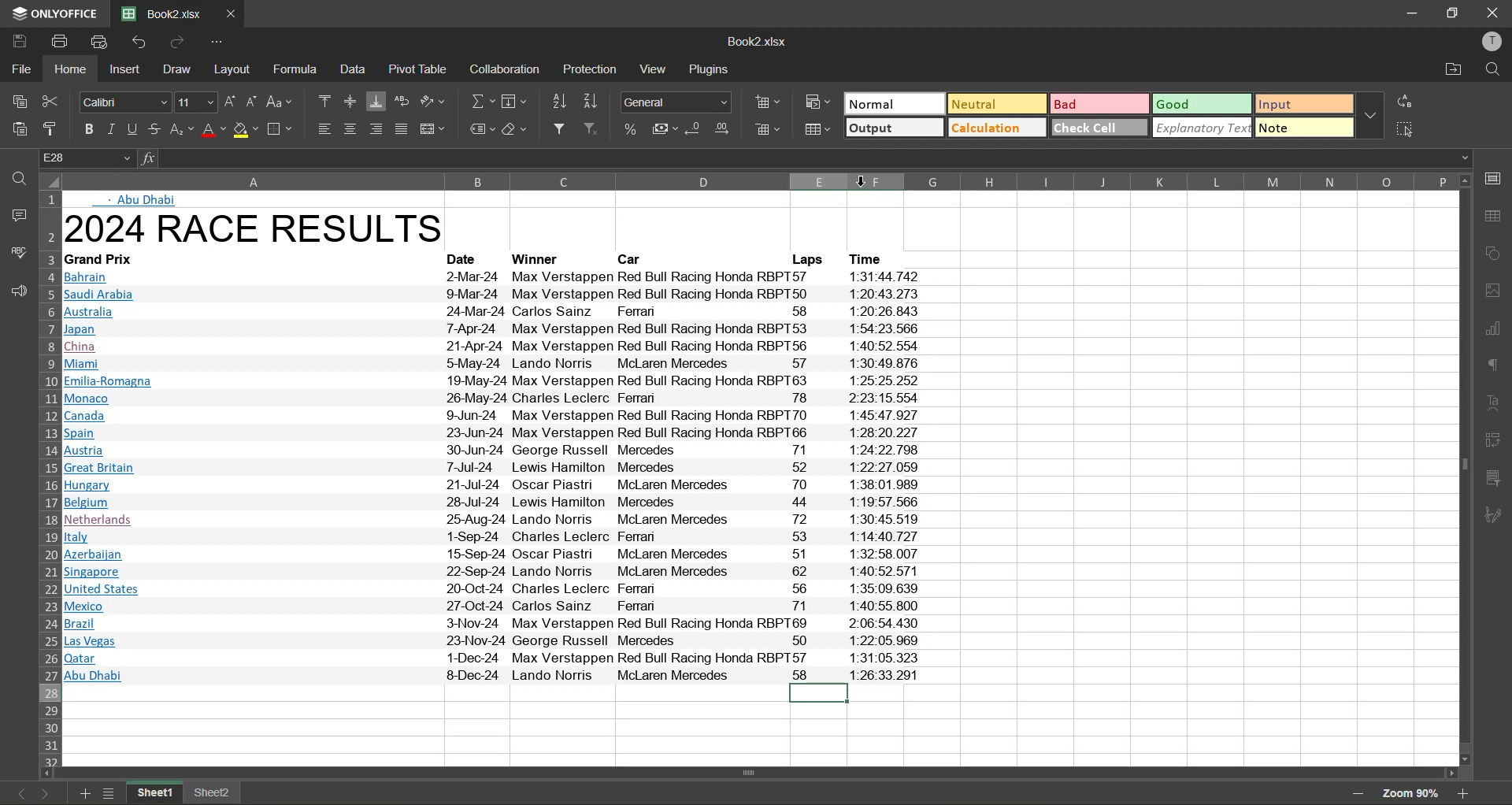  What do you see at coordinates (1497, 216) in the screenshot?
I see `table` at bounding box center [1497, 216].